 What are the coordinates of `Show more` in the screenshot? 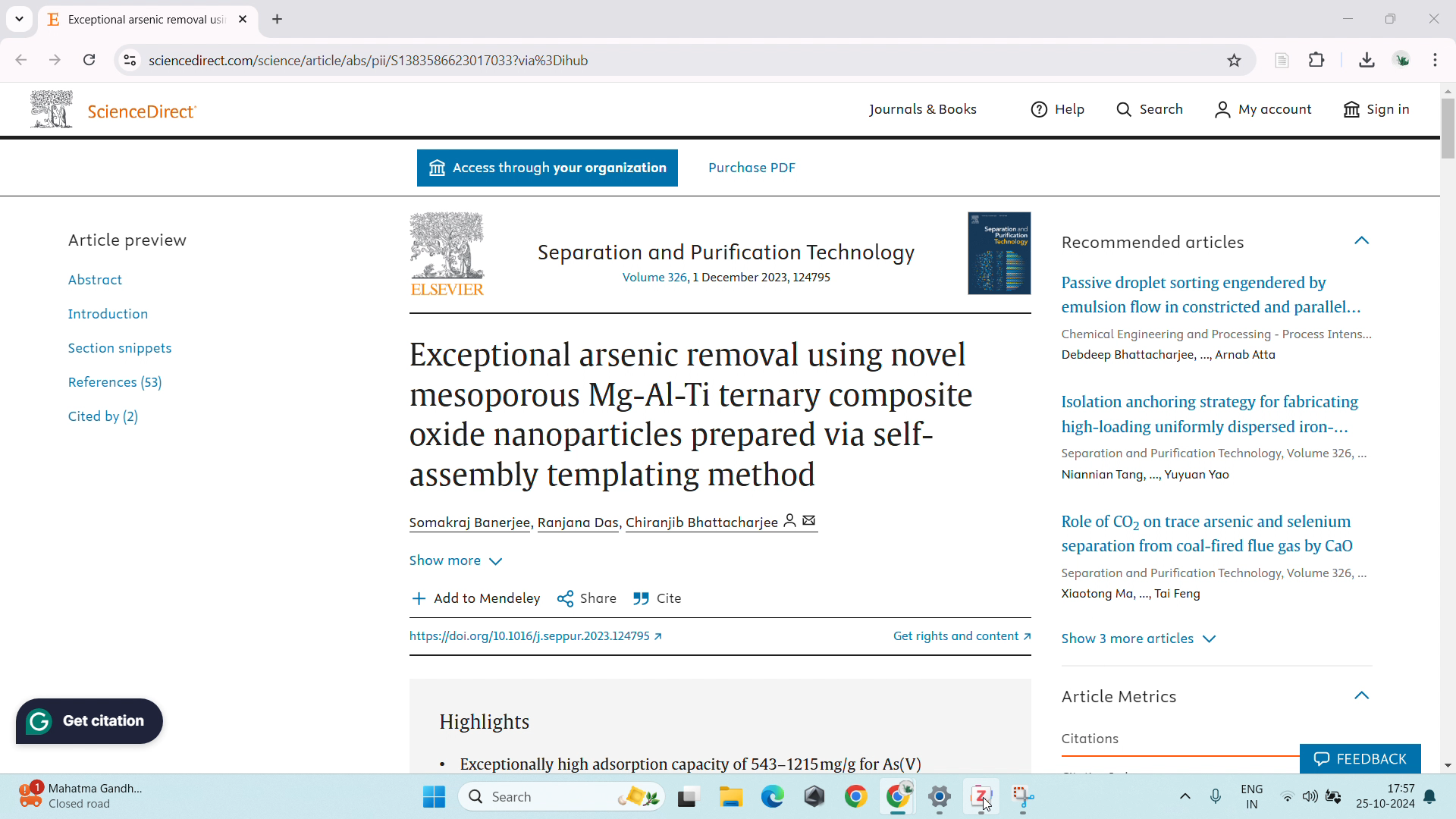 It's located at (455, 557).